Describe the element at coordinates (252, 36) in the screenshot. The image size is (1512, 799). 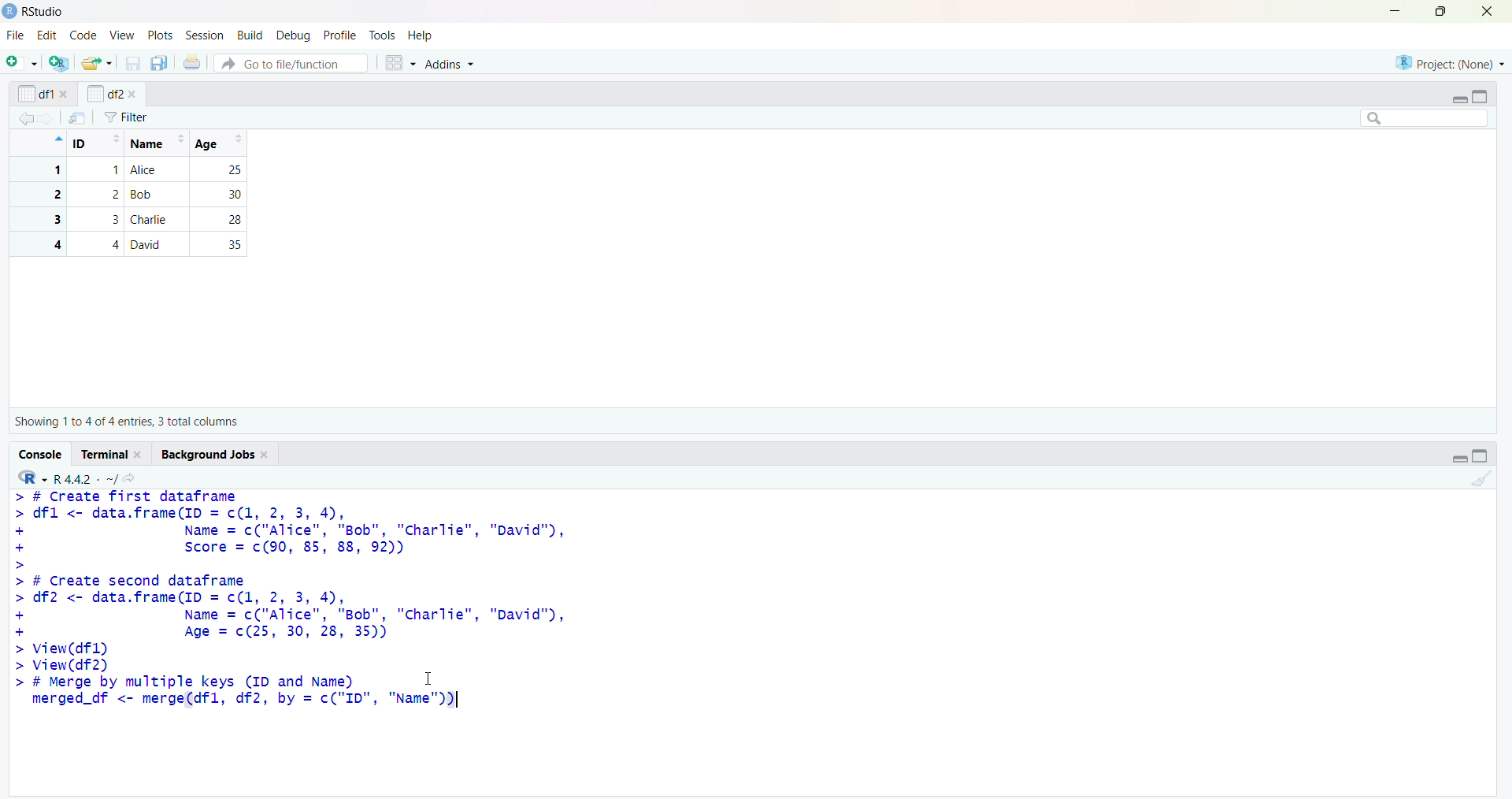
I see `build` at that location.